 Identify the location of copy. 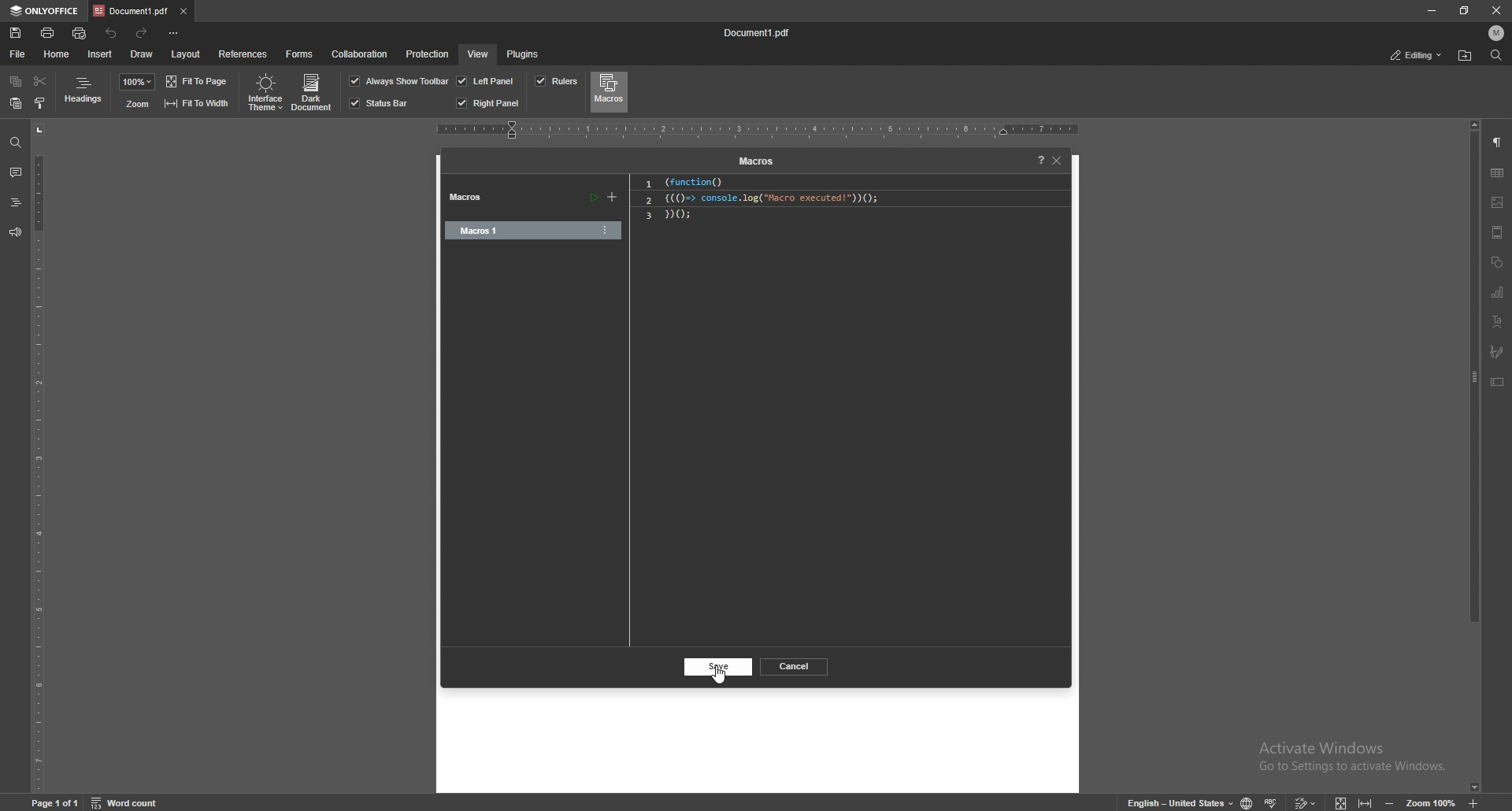
(16, 83).